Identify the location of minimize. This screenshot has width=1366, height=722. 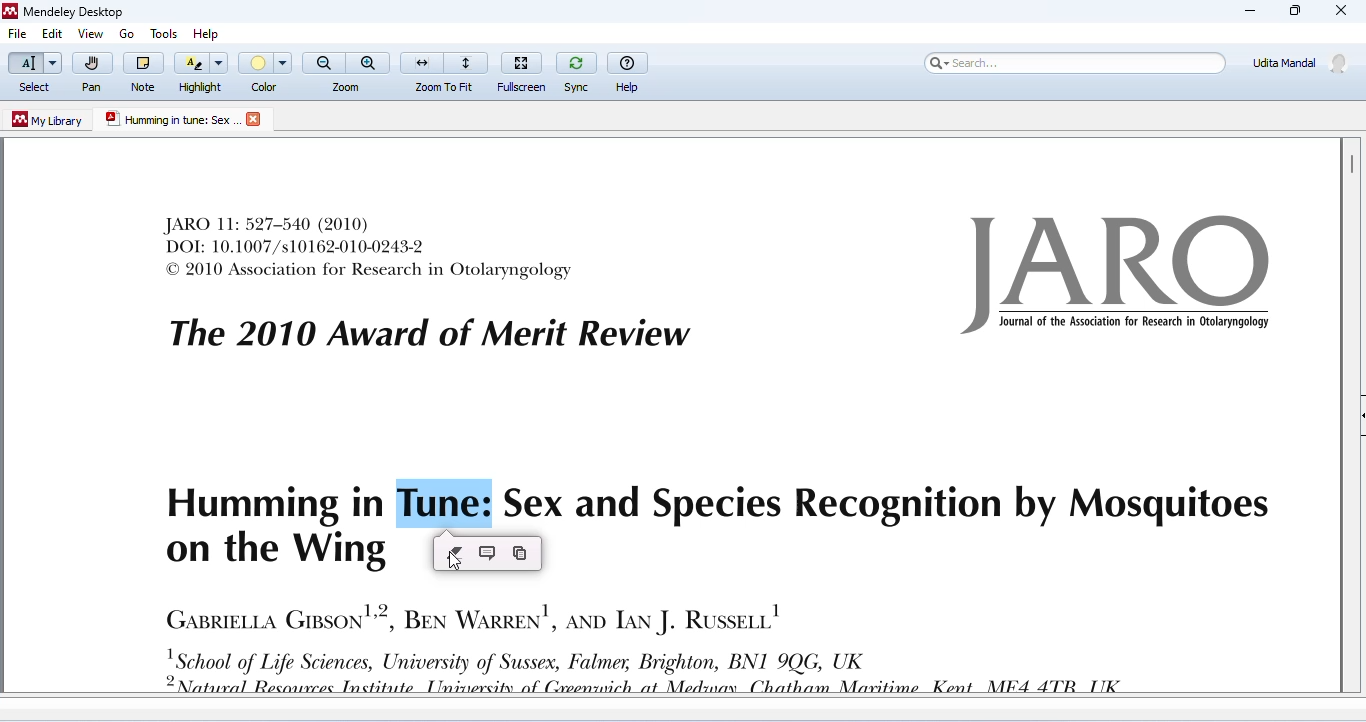
(1250, 11).